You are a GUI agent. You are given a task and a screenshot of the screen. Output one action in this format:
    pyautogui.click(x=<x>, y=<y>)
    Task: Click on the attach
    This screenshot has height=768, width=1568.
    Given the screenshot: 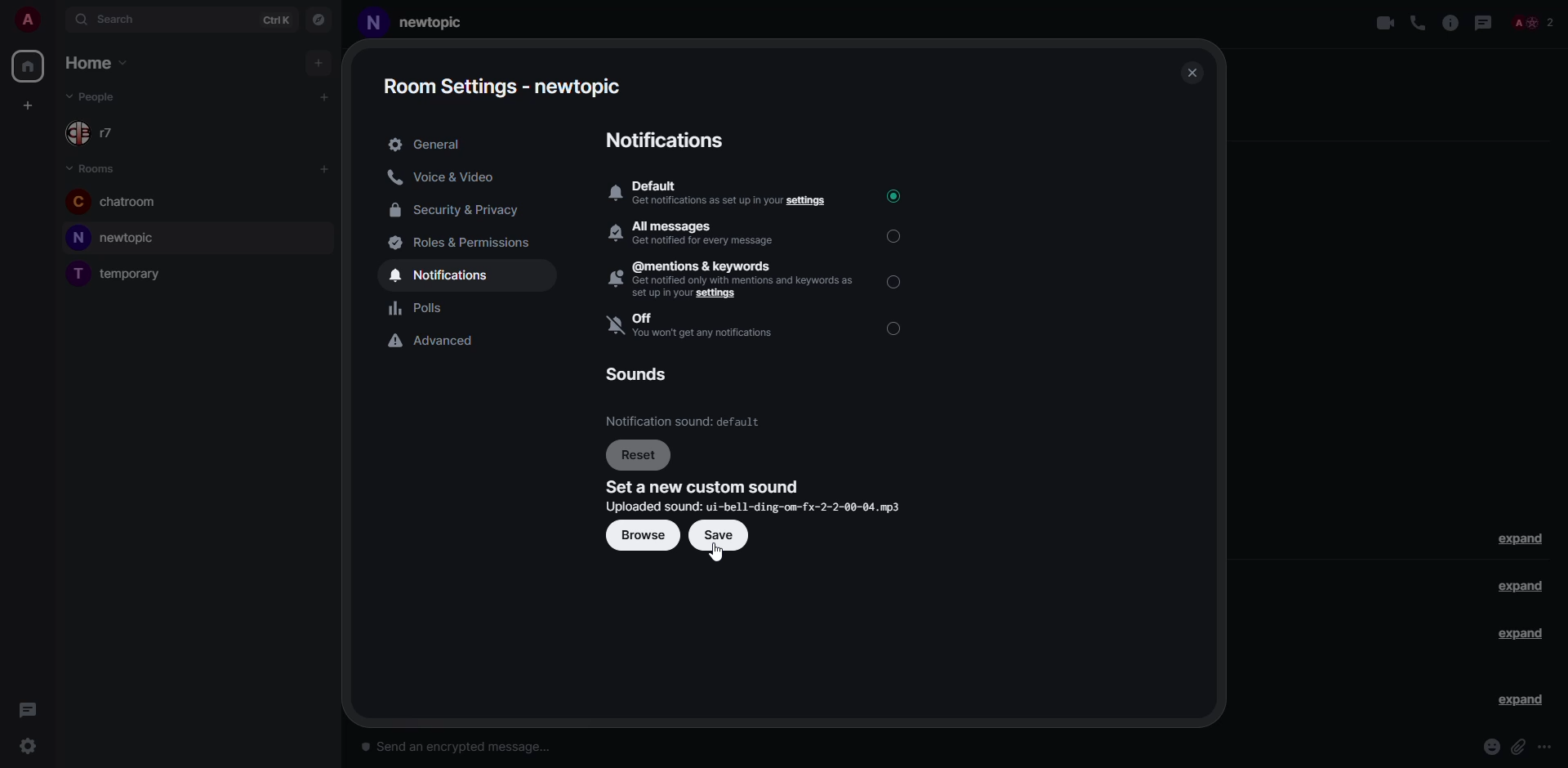 What is the action you would take?
    pyautogui.click(x=1519, y=747)
    